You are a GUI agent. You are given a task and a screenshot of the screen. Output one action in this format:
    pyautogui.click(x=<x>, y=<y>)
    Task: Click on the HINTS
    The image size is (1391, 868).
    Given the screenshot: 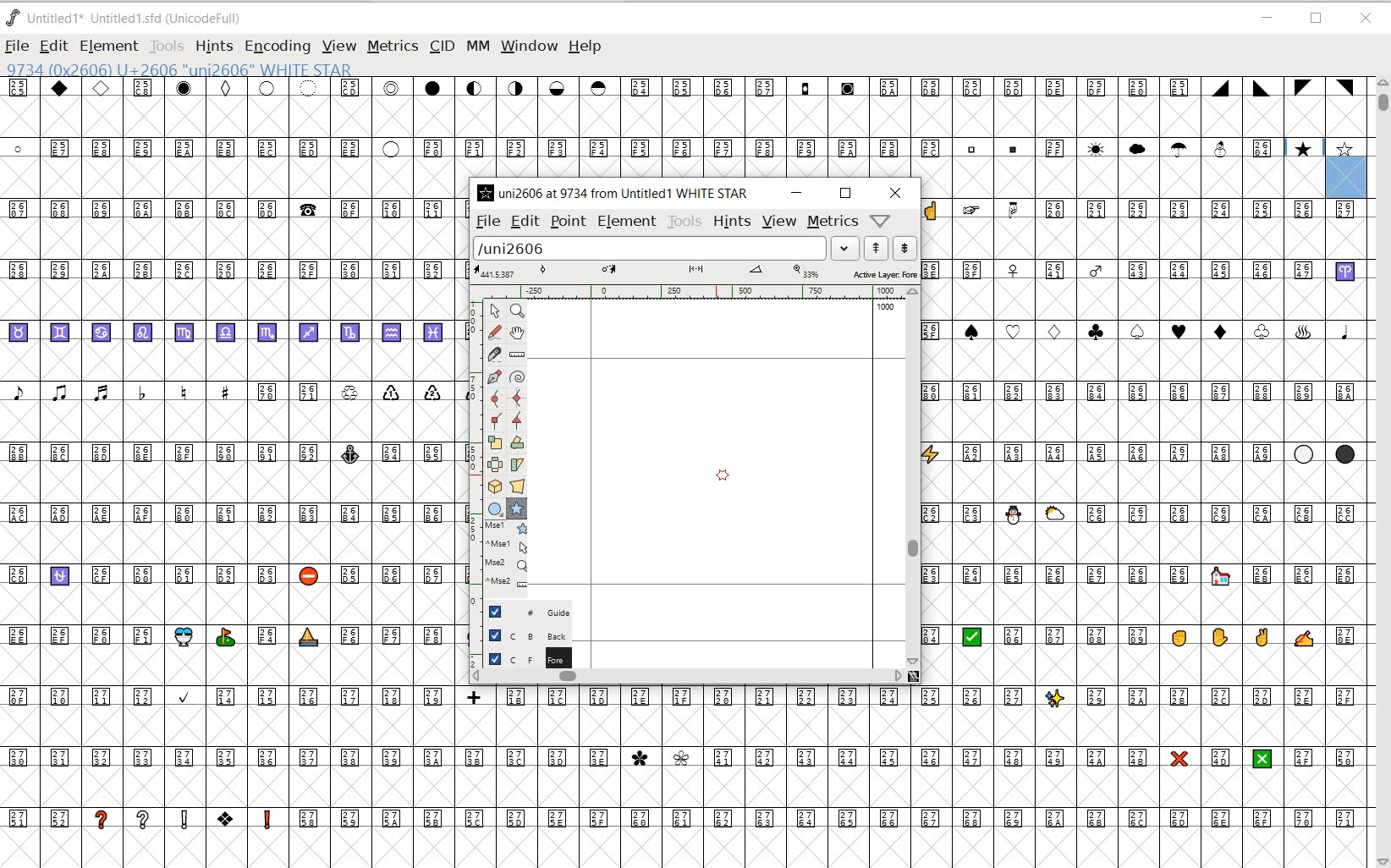 What is the action you would take?
    pyautogui.click(x=731, y=222)
    